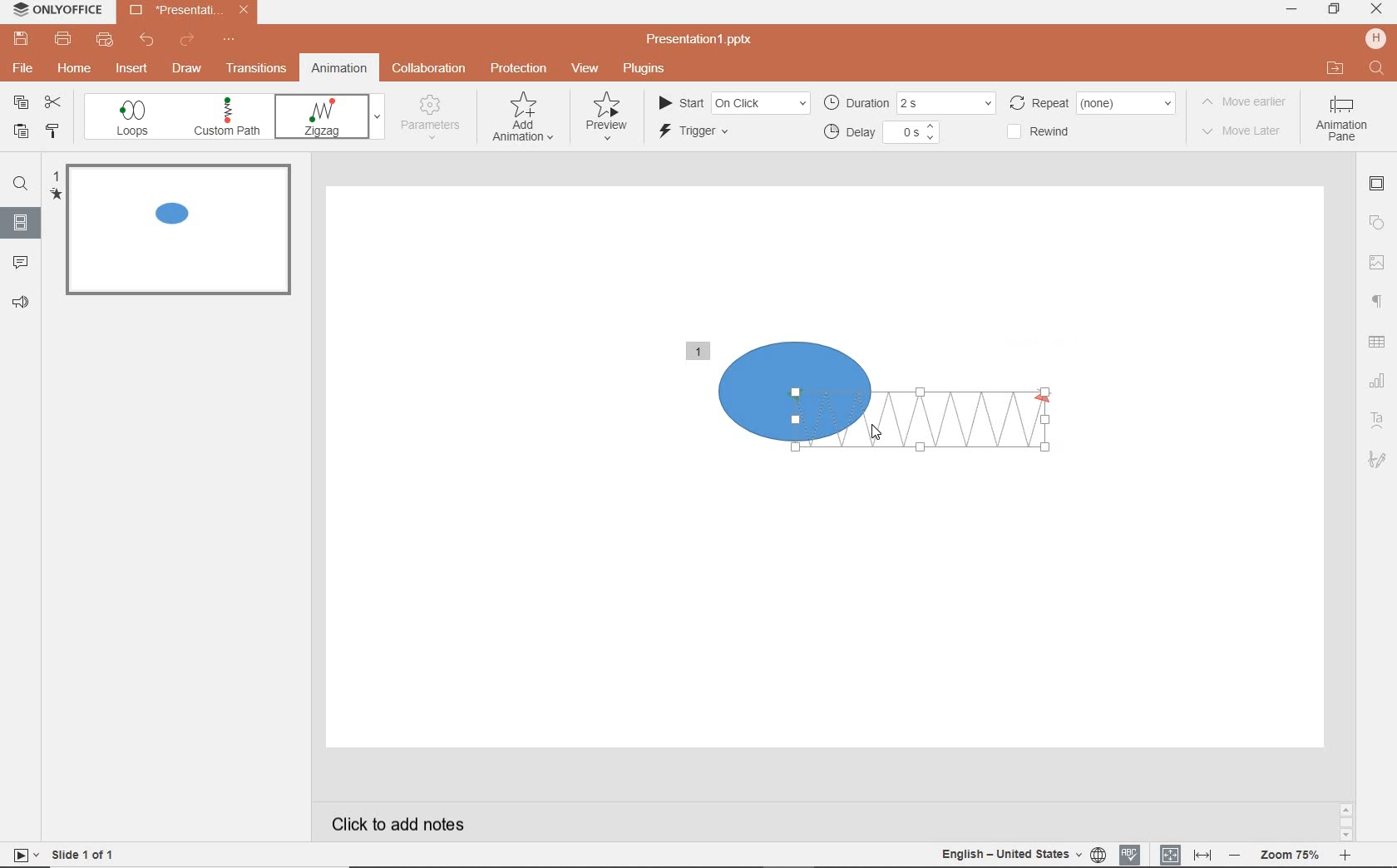  What do you see at coordinates (1375, 40) in the screenshot?
I see `HP` at bounding box center [1375, 40].